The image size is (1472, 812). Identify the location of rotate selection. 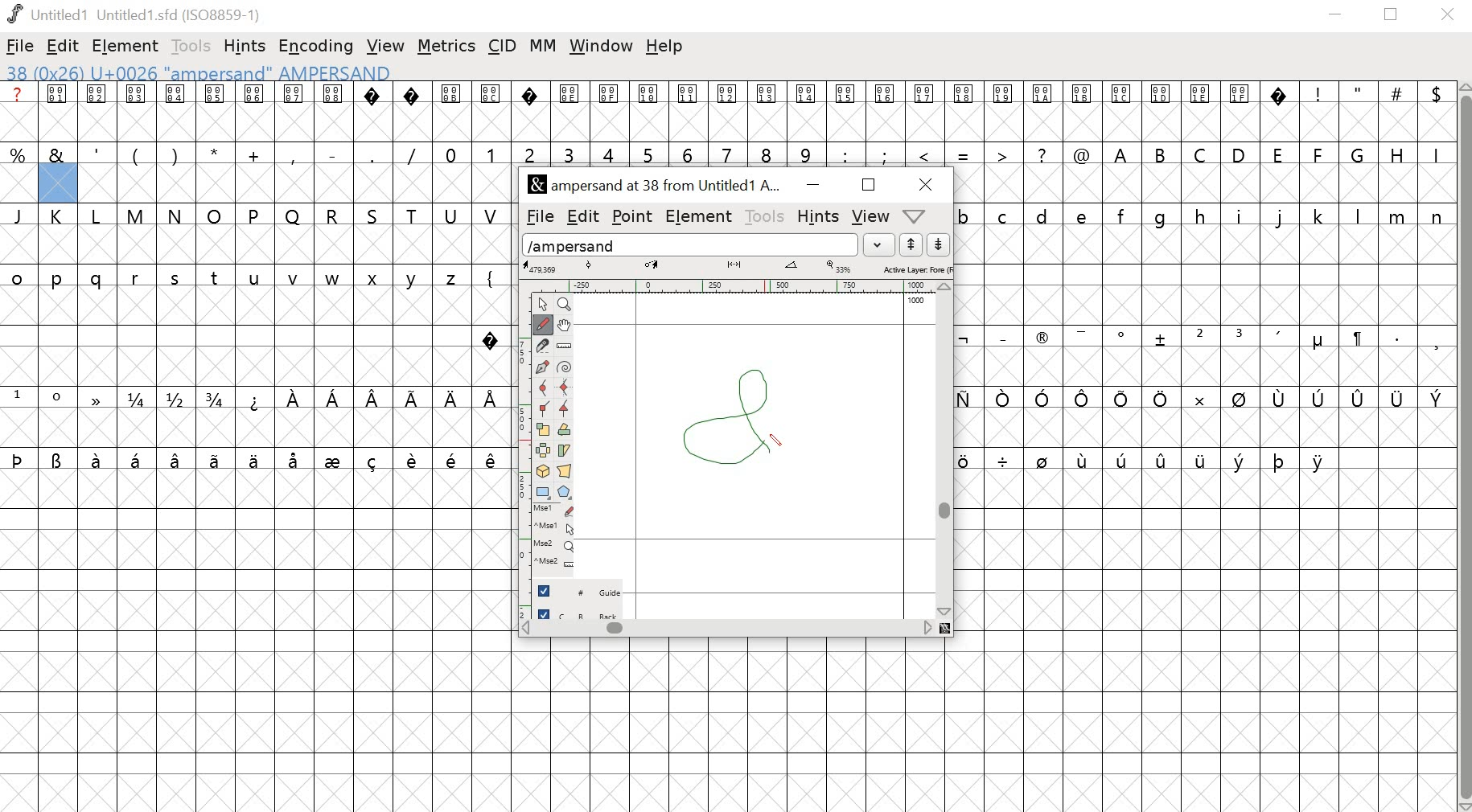
(565, 431).